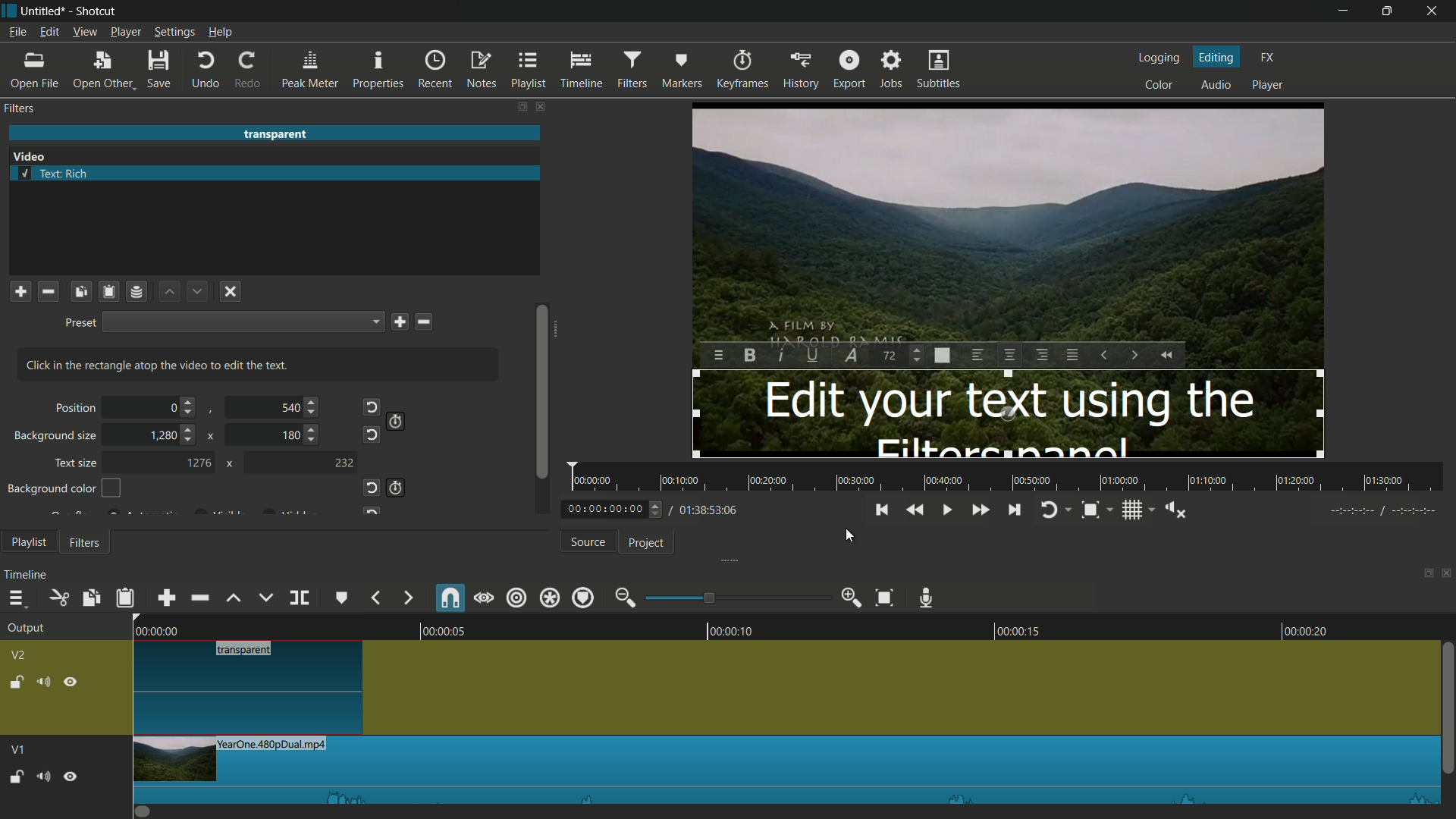 The height and width of the screenshot is (819, 1456). I want to click on deselect the filter, so click(231, 291).